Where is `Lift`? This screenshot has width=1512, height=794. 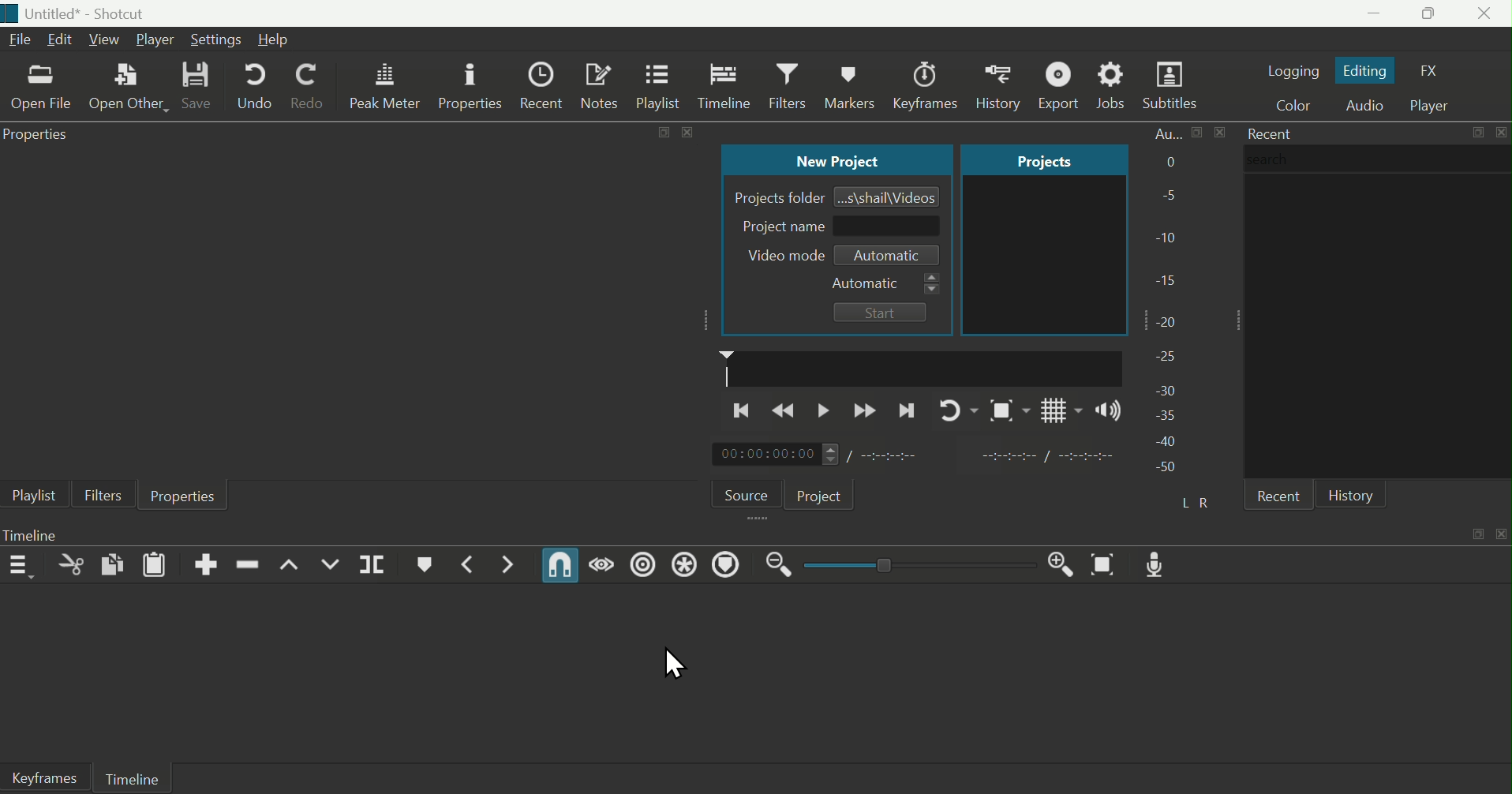
Lift is located at coordinates (288, 564).